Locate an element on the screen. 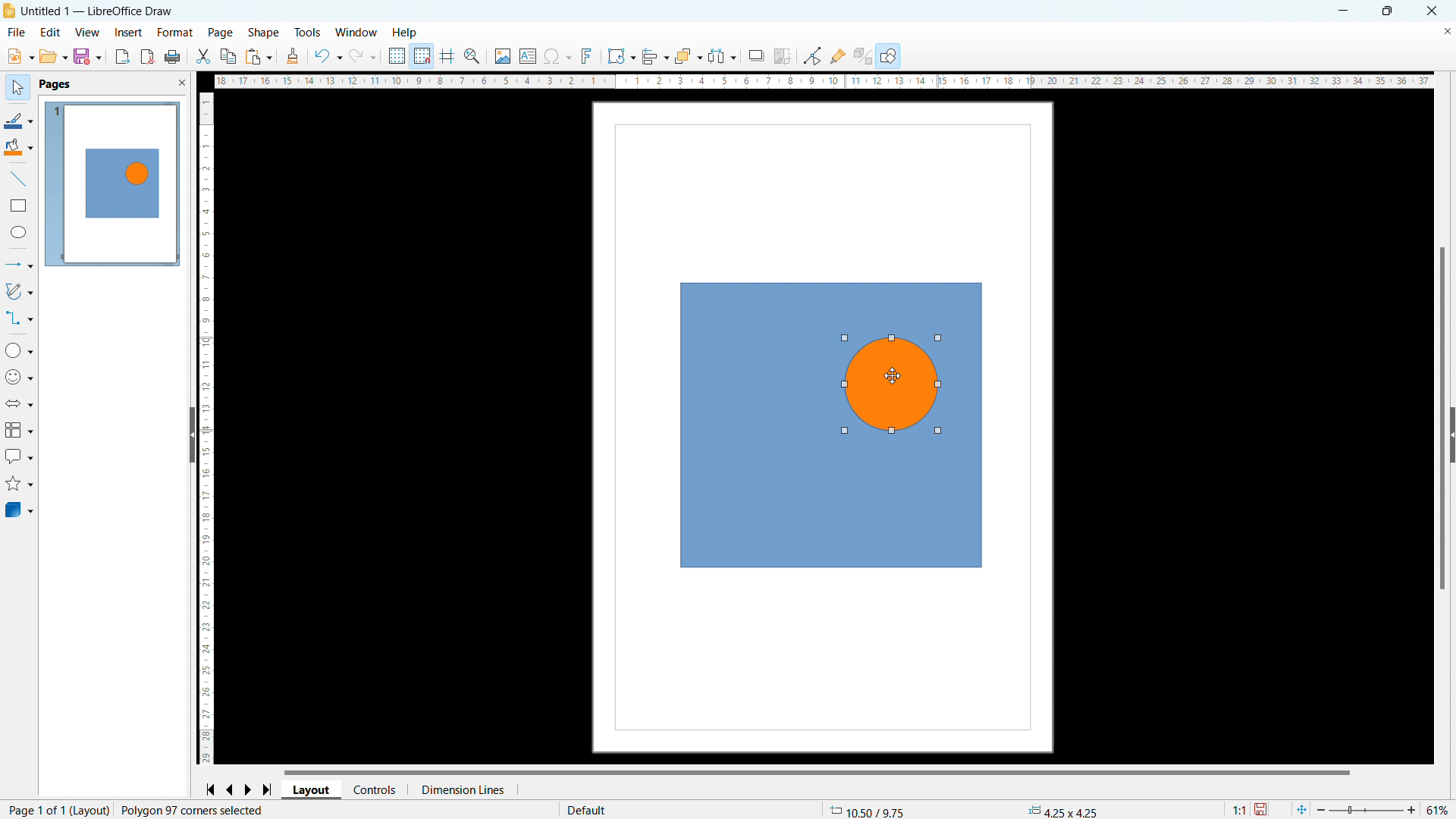  insert image is located at coordinates (503, 55).